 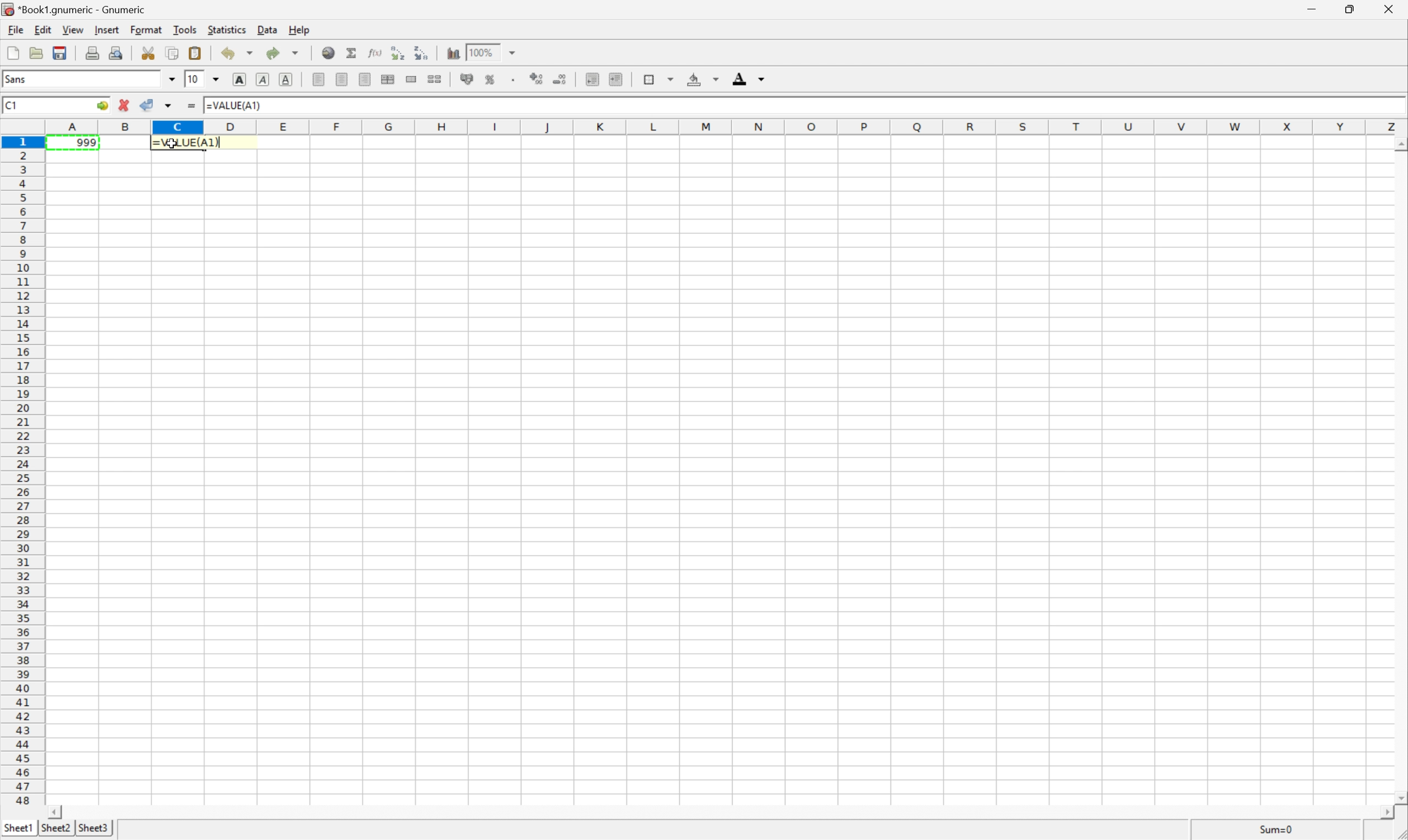 I want to click on row numbers, so click(x=23, y=472).